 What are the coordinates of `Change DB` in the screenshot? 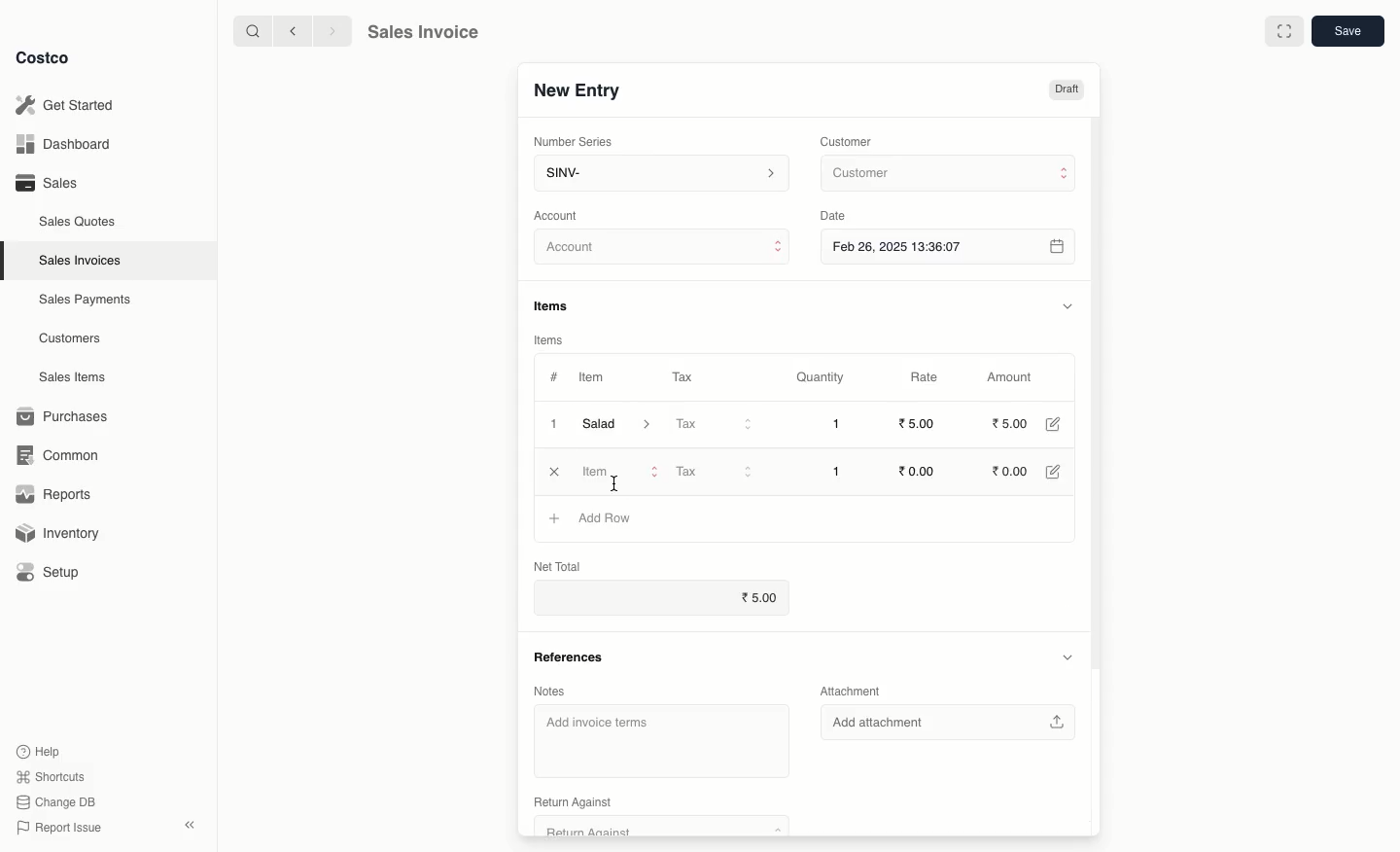 It's located at (52, 800).